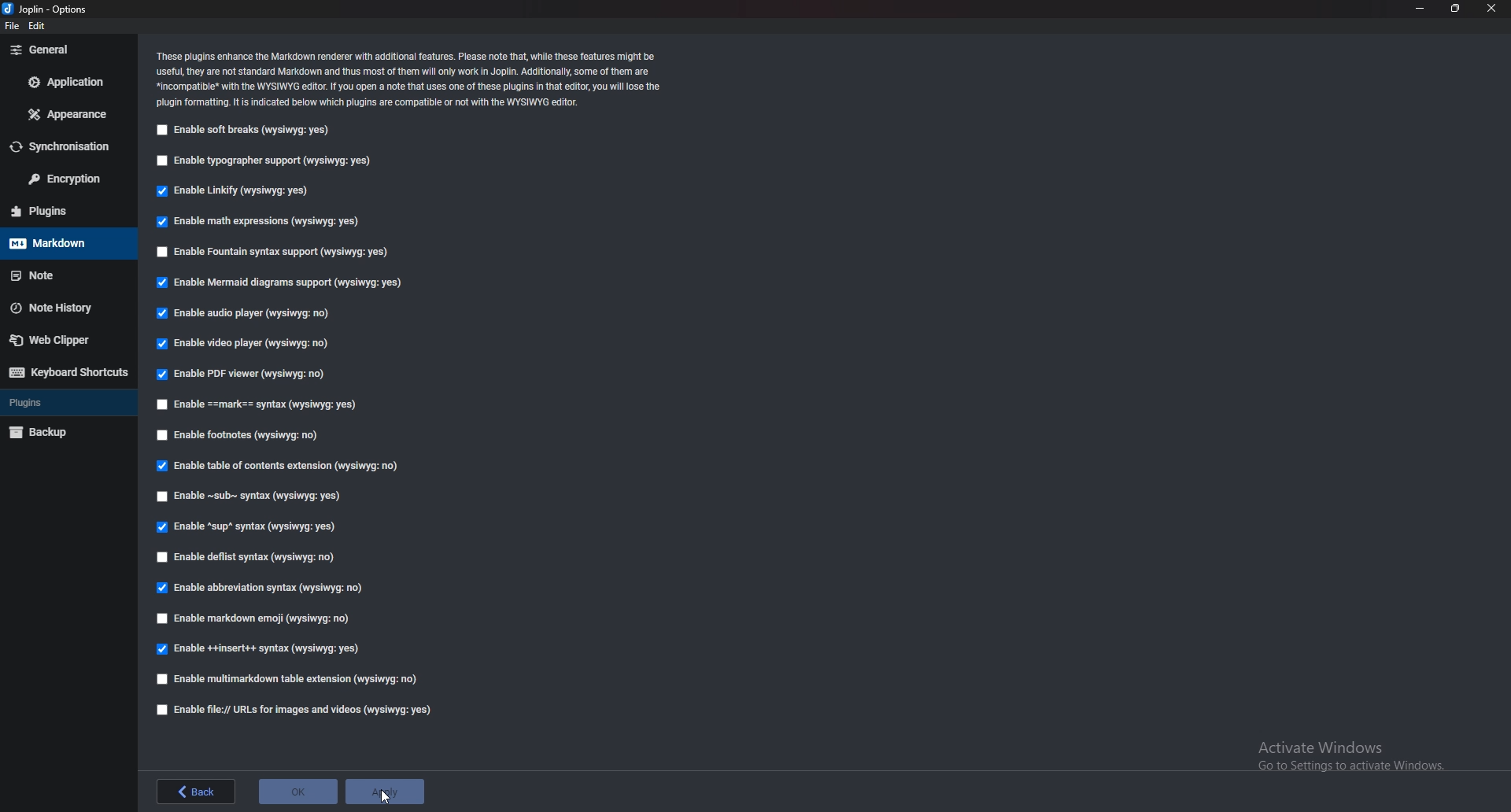 This screenshot has width=1511, height=812. Describe the element at coordinates (268, 404) in the screenshot. I see `Enable Mark Syntax` at that location.